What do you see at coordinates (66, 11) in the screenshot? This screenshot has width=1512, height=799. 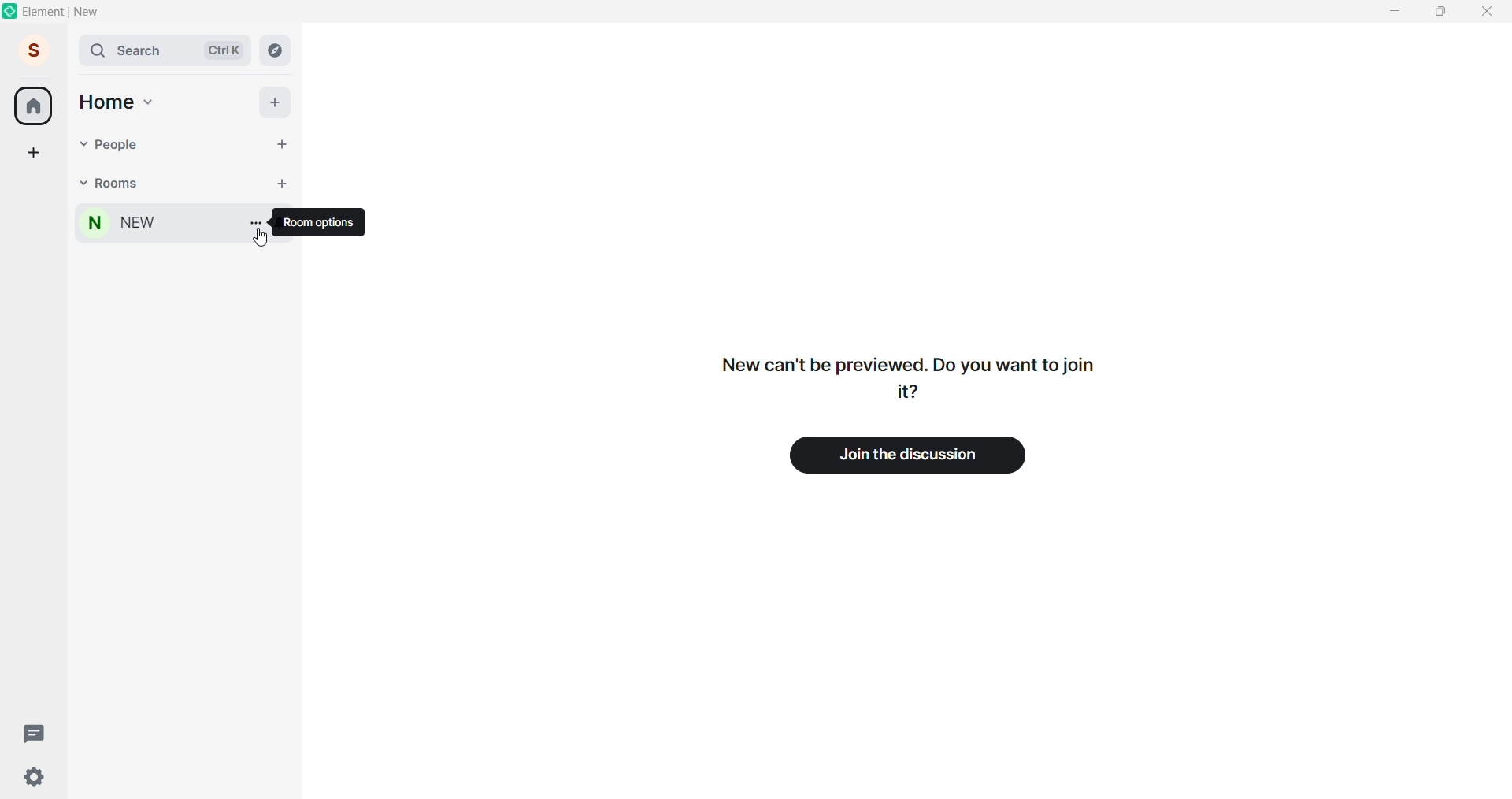 I see `title` at bounding box center [66, 11].